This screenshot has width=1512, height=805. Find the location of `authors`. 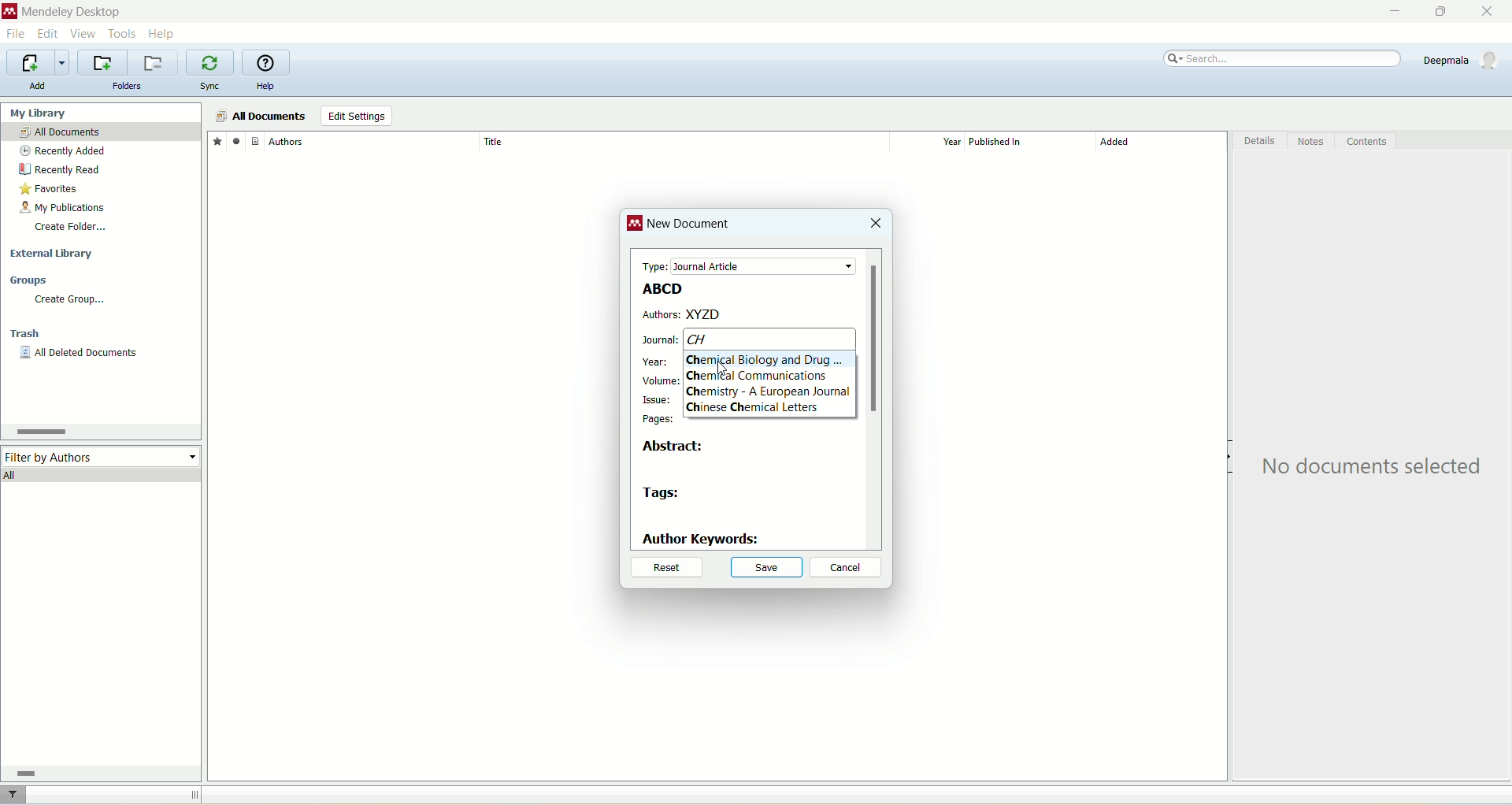

authors is located at coordinates (660, 315).